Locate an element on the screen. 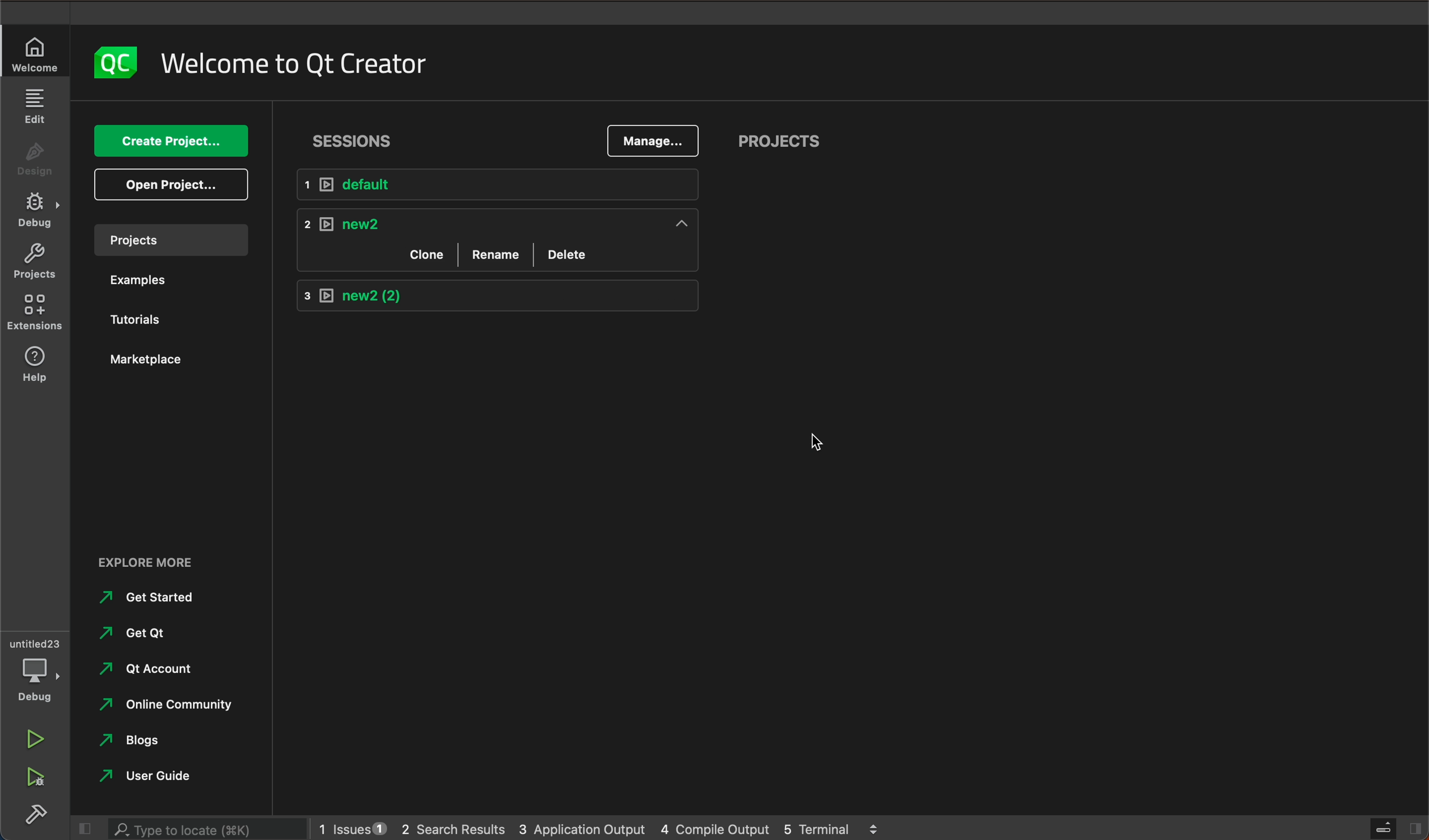 The height and width of the screenshot is (840, 1429). extensions is located at coordinates (34, 315).